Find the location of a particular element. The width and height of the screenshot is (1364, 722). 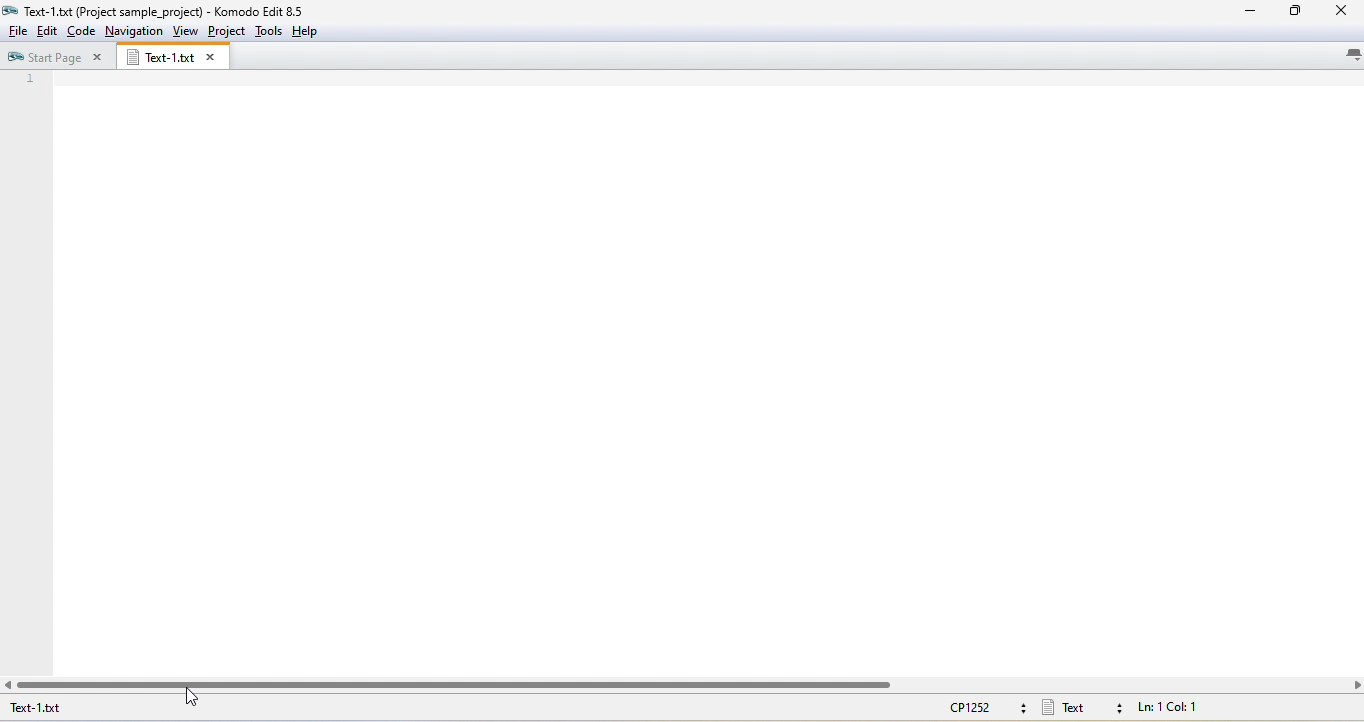

cursor is located at coordinates (192, 700).